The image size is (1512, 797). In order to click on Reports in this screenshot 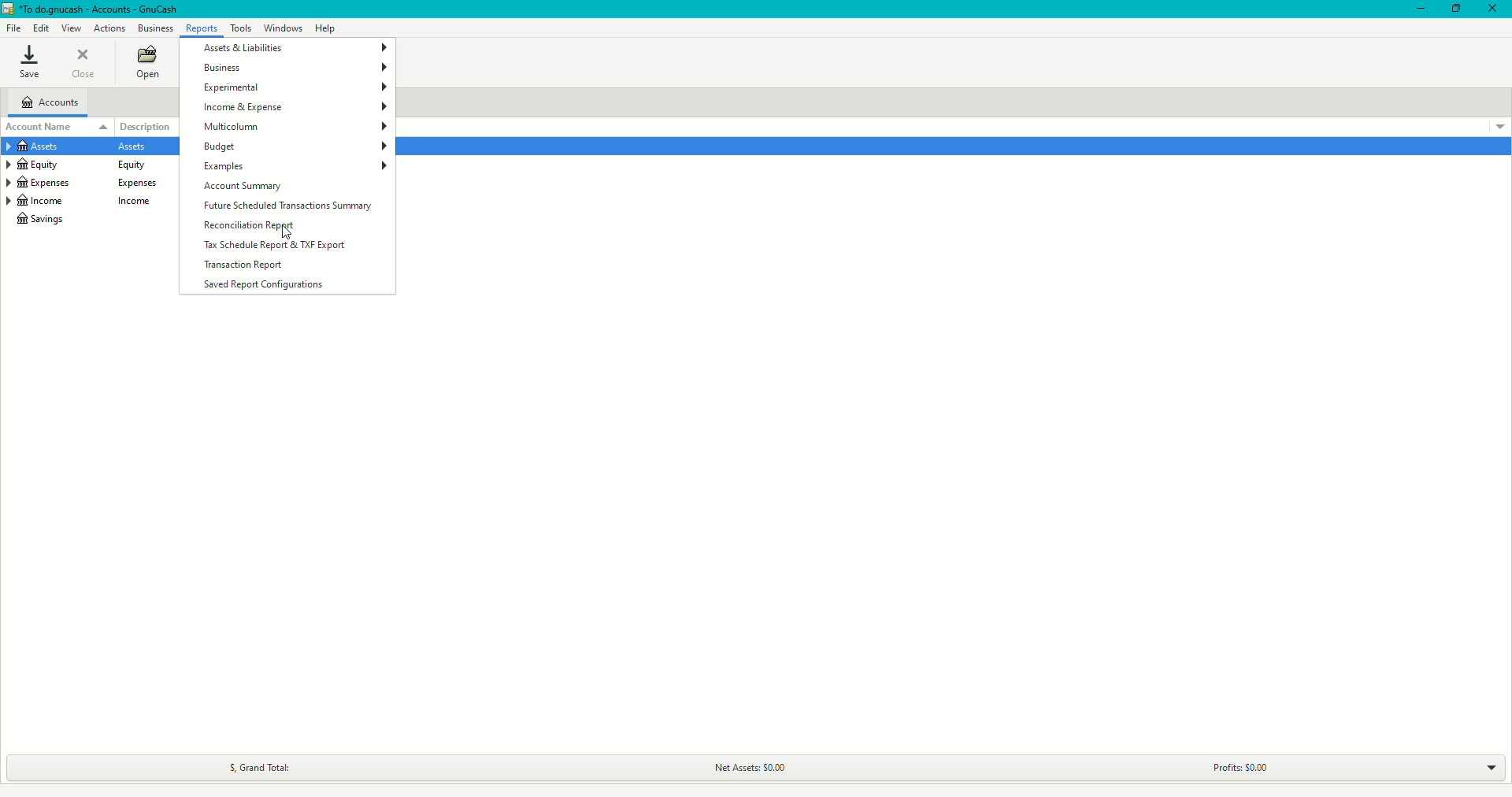, I will do `click(198, 28)`.